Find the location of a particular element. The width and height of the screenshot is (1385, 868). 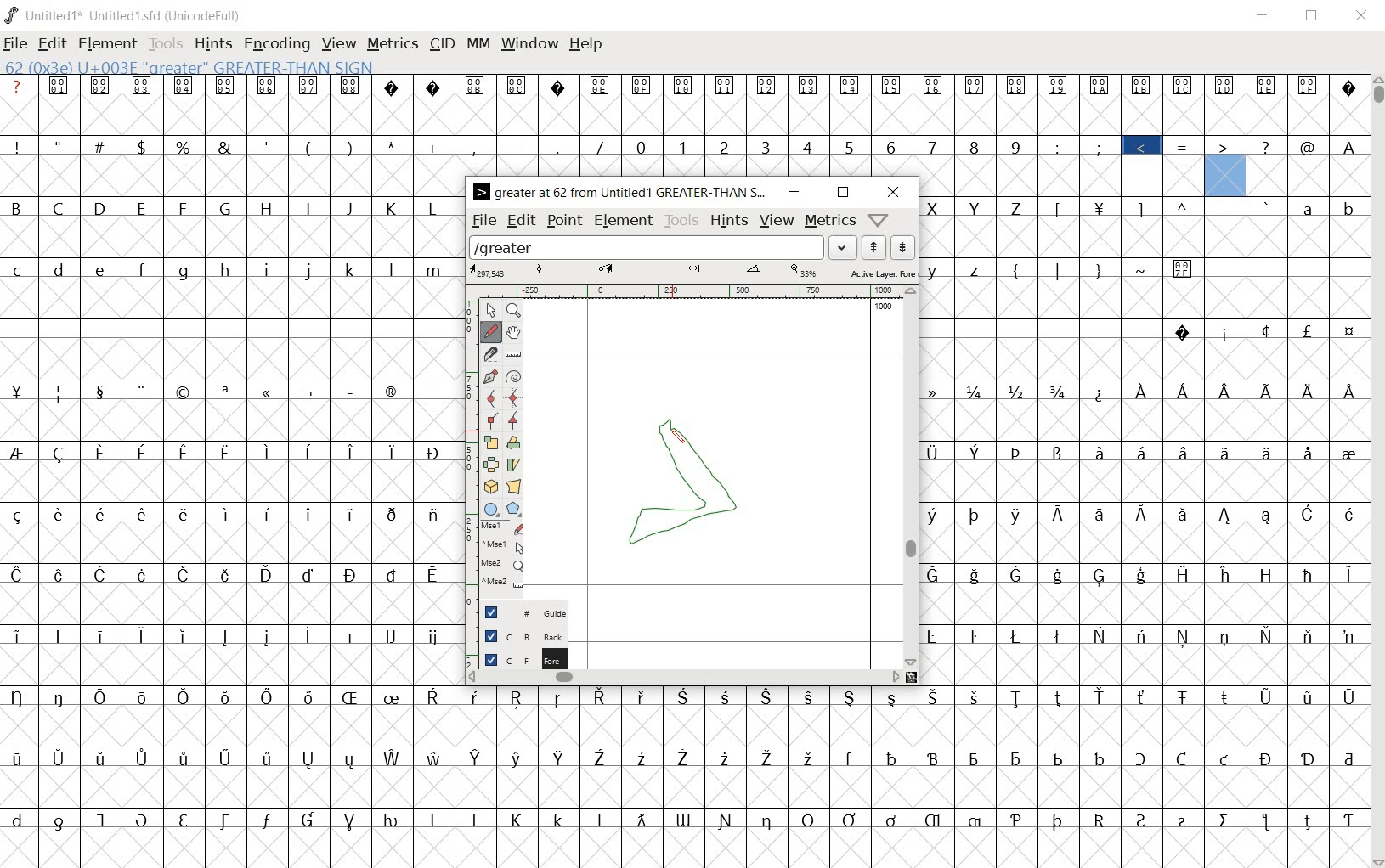

active layer: foreground is located at coordinates (692, 272).